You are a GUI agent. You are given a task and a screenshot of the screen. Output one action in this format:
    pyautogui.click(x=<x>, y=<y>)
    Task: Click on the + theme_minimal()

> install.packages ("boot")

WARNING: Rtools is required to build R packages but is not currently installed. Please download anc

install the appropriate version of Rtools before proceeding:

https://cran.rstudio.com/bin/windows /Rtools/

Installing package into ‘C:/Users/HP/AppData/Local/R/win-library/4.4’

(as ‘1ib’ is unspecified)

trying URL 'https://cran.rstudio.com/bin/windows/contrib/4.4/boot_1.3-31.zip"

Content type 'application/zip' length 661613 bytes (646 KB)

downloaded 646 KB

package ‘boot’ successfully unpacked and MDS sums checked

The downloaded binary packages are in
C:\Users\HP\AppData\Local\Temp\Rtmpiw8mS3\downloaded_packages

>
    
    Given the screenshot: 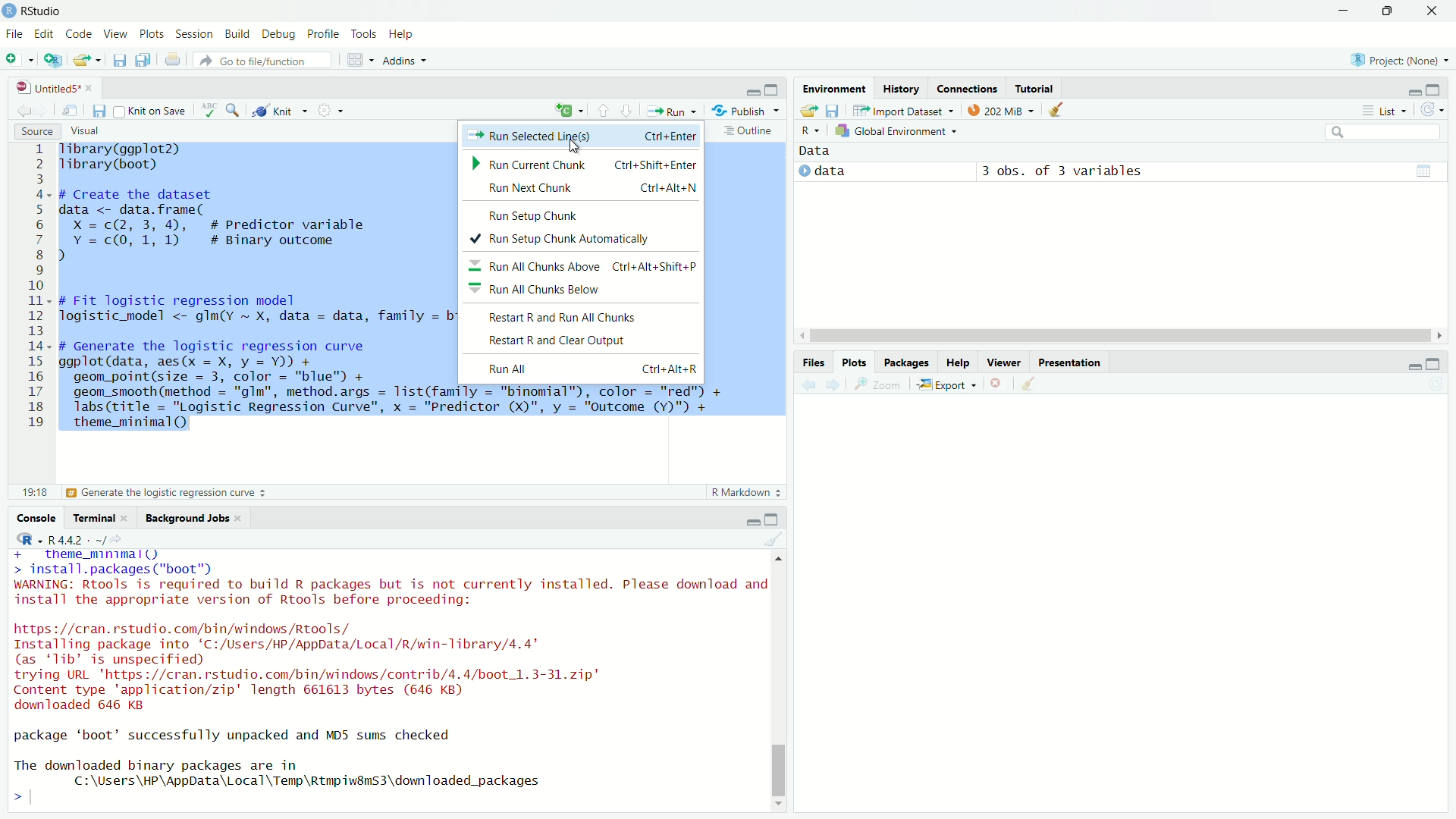 What is the action you would take?
    pyautogui.click(x=387, y=680)
    